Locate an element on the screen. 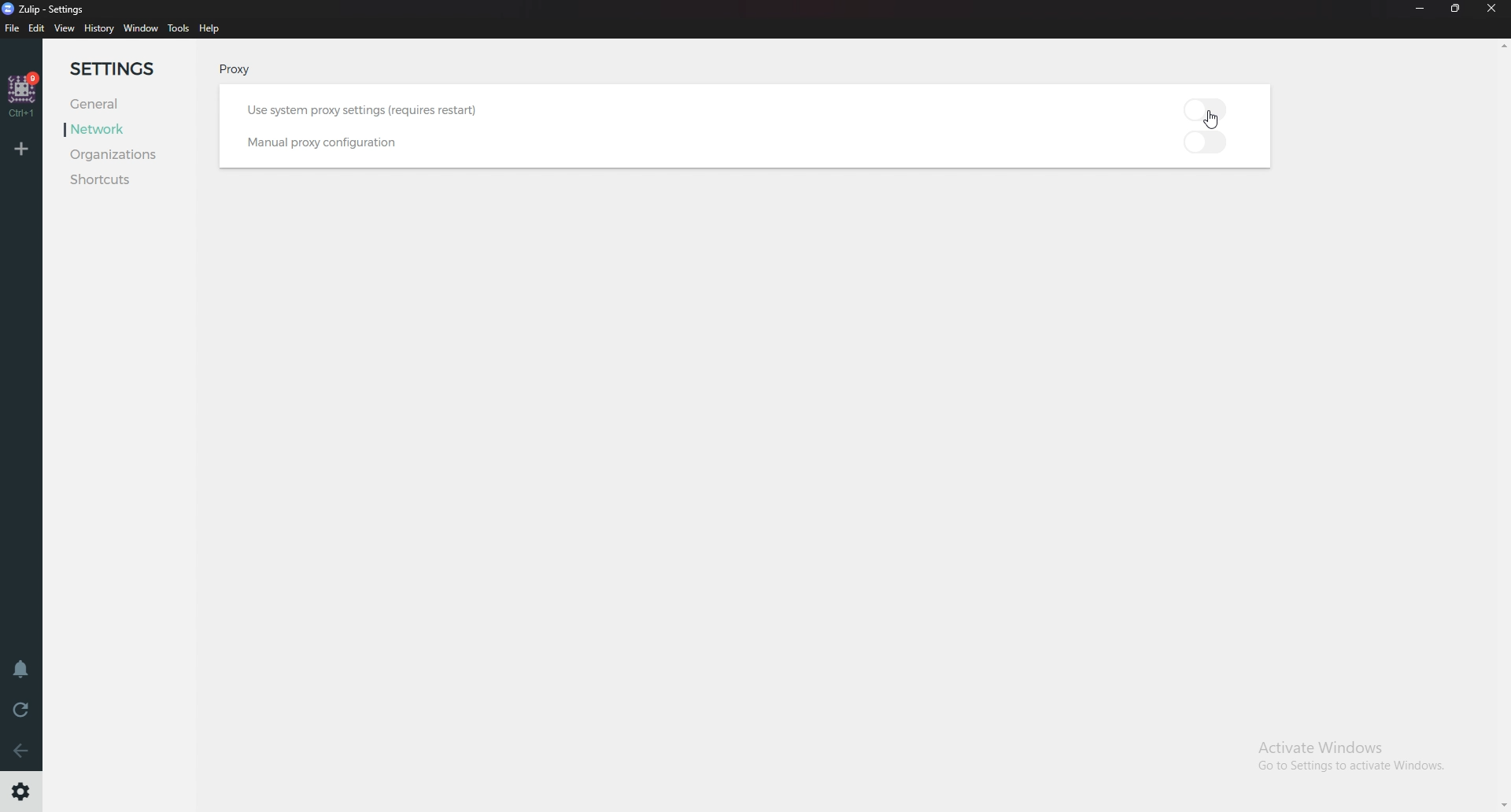 Image resolution: width=1511 pixels, height=812 pixels. reload is located at coordinates (22, 710).